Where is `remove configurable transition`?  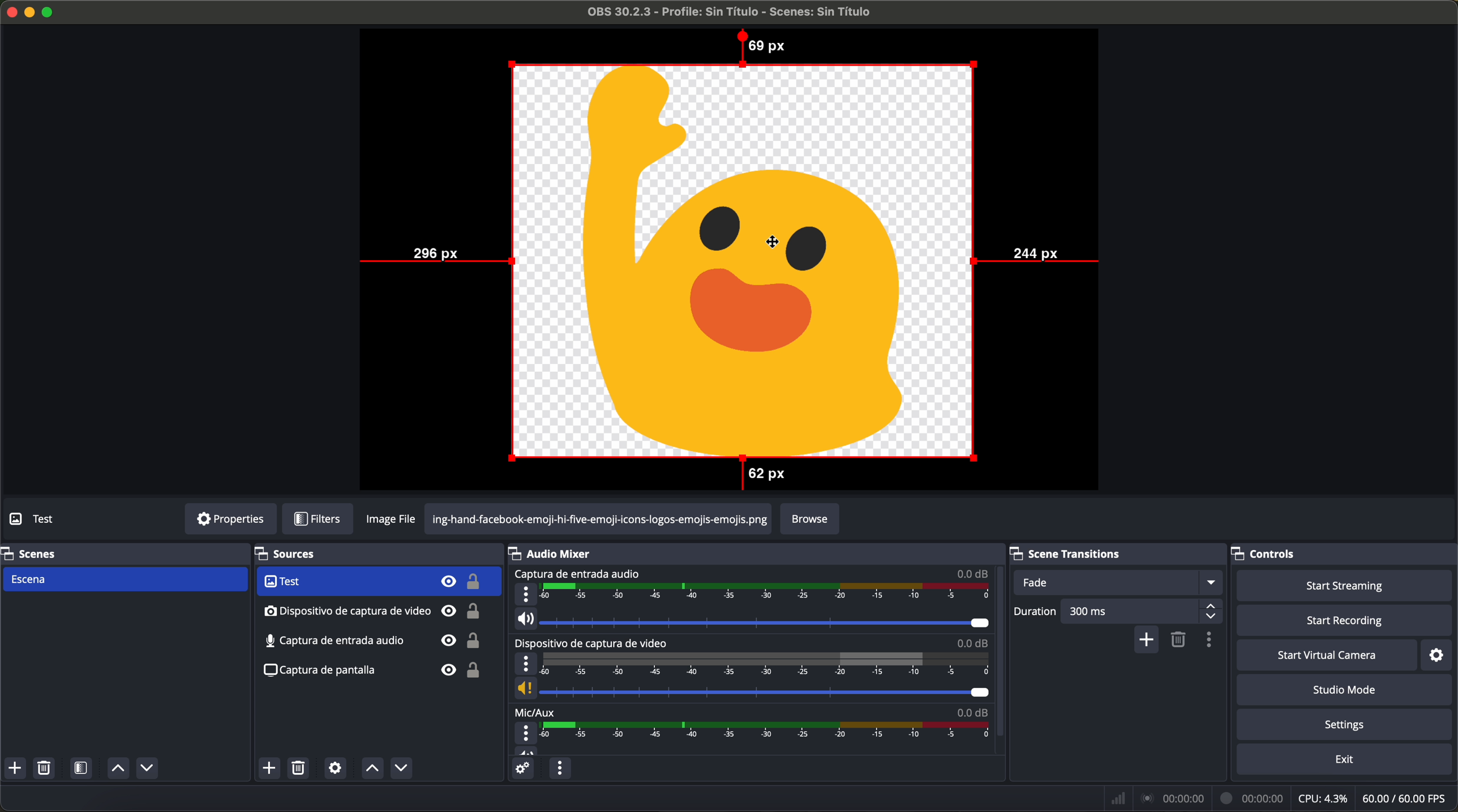
remove configurable transition is located at coordinates (1180, 641).